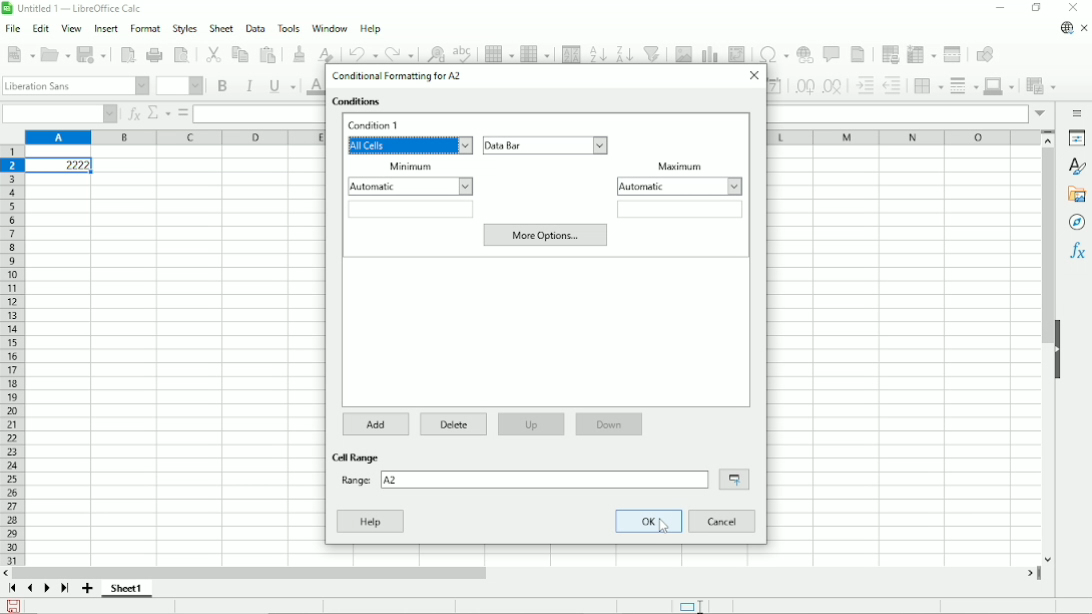 This screenshot has height=614, width=1092. What do you see at coordinates (926, 86) in the screenshot?
I see `Borders` at bounding box center [926, 86].